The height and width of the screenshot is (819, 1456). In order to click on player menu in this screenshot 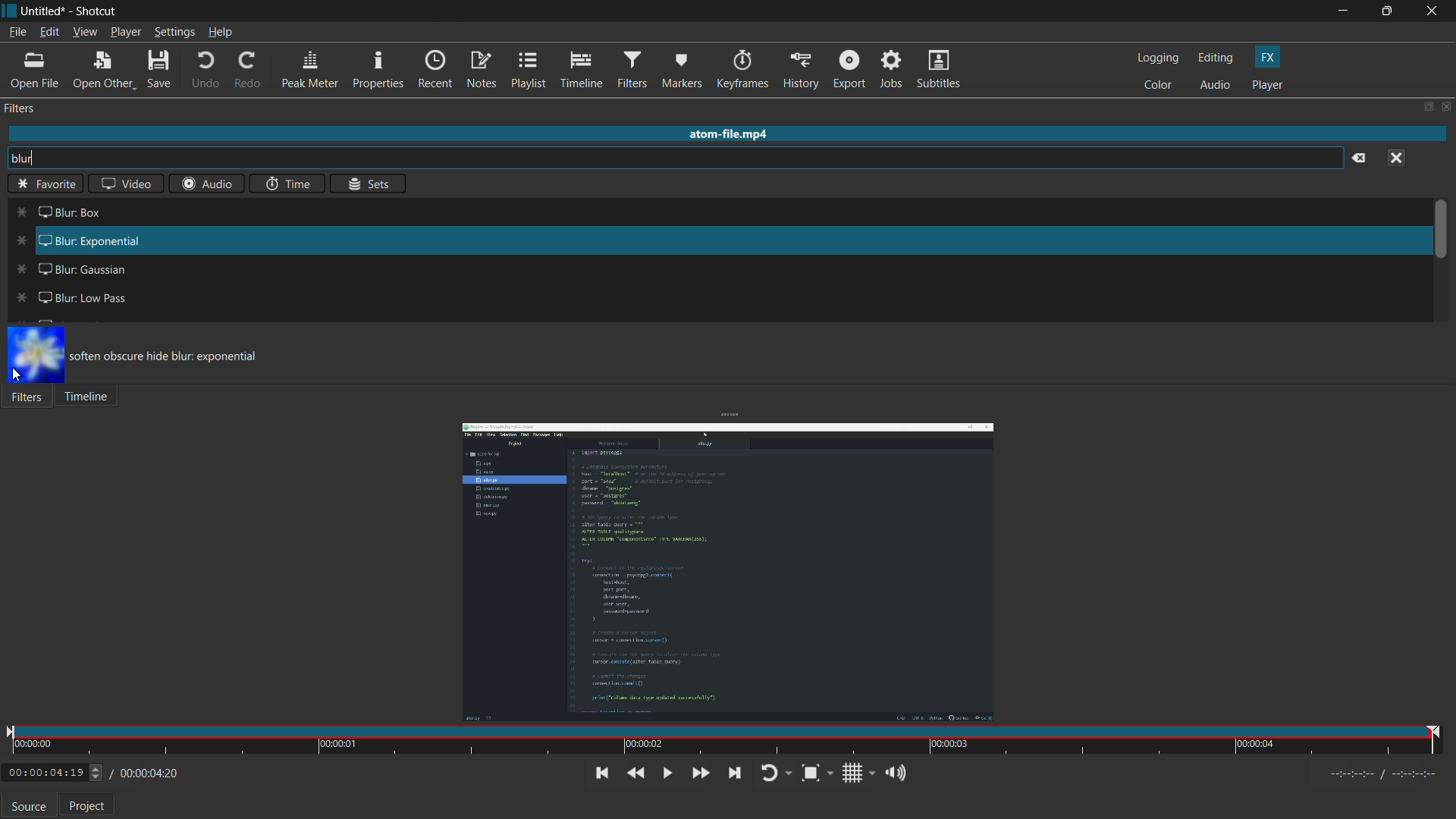, I will do `click(127, 33)`.